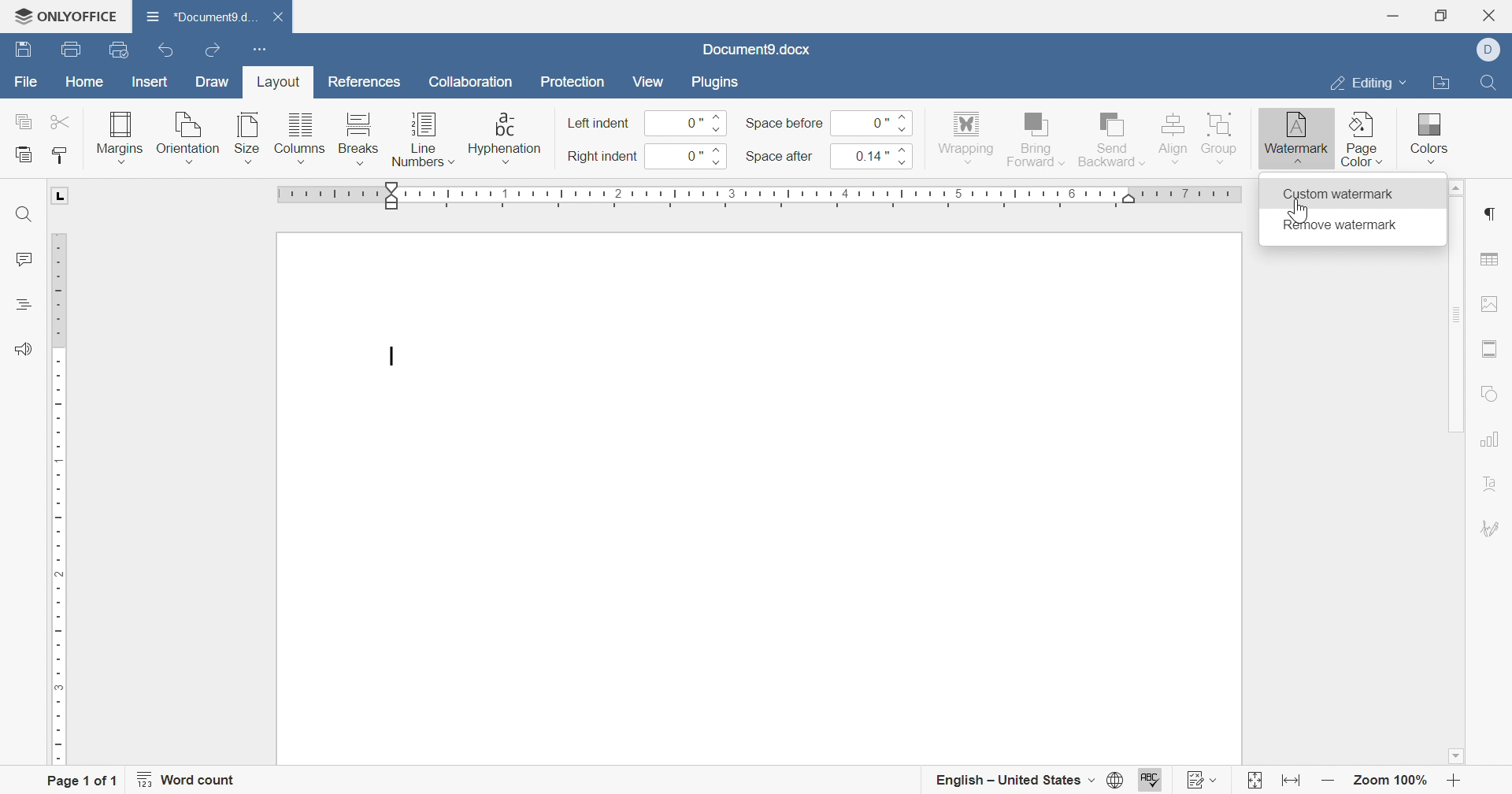 This screenshot has height=794, width=1512. I want to click on bring forward, so click(1034, 137).